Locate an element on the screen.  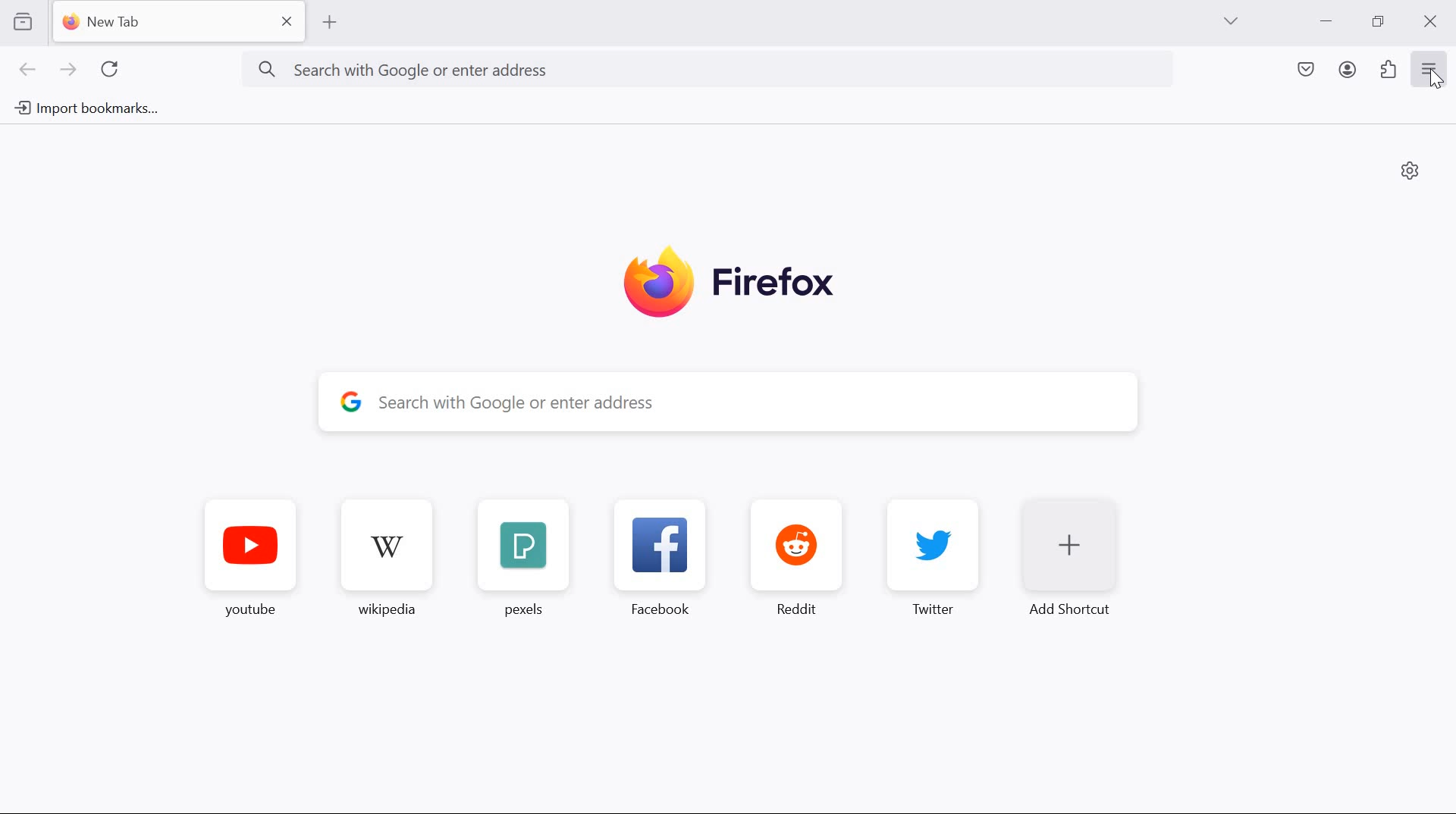
close is located at coordinates (1433, 20).